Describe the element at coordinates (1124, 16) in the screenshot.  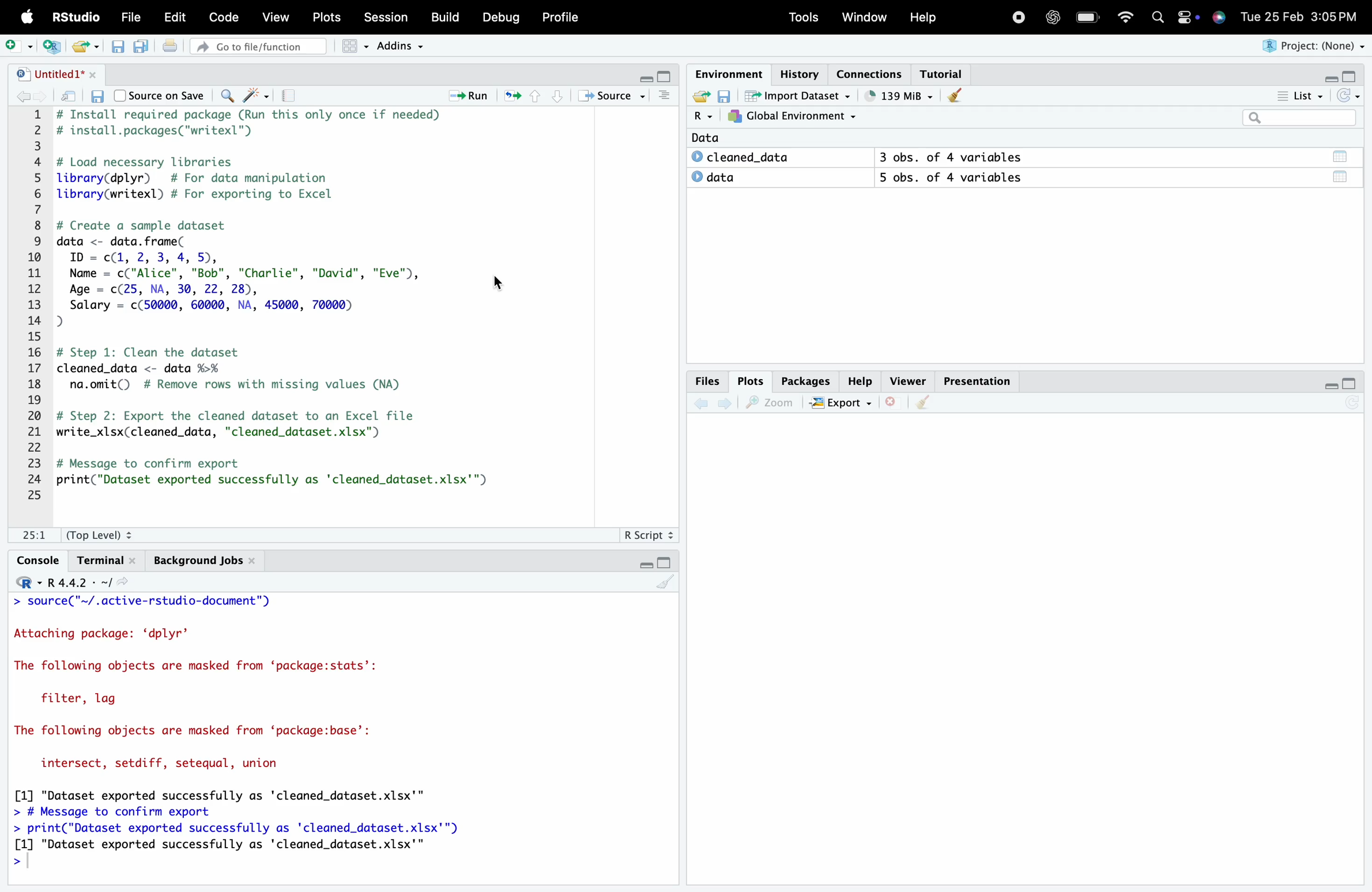
I see `Wifi` at that location.